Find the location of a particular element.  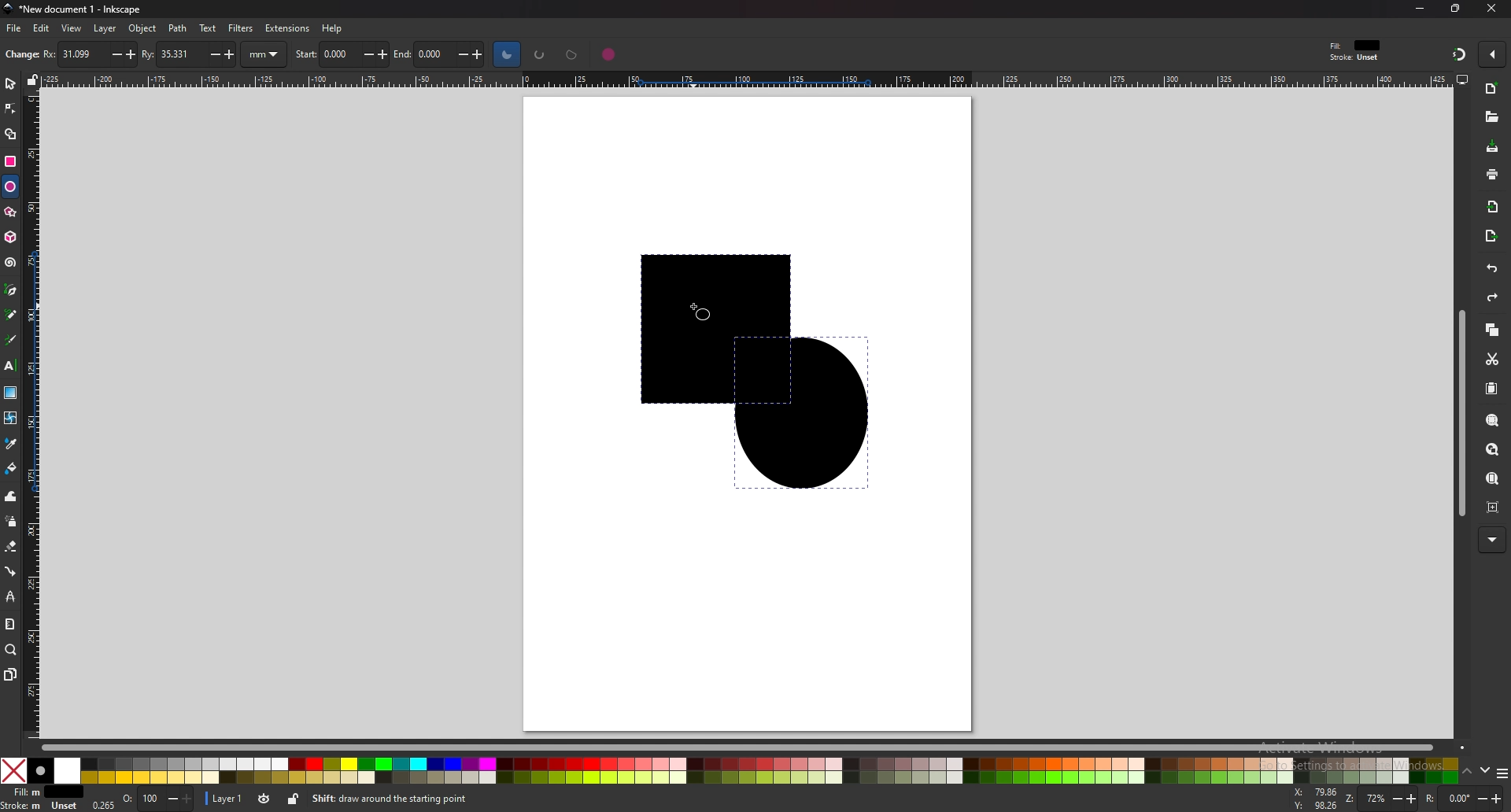

paste is located at coordinates (1493, 389).